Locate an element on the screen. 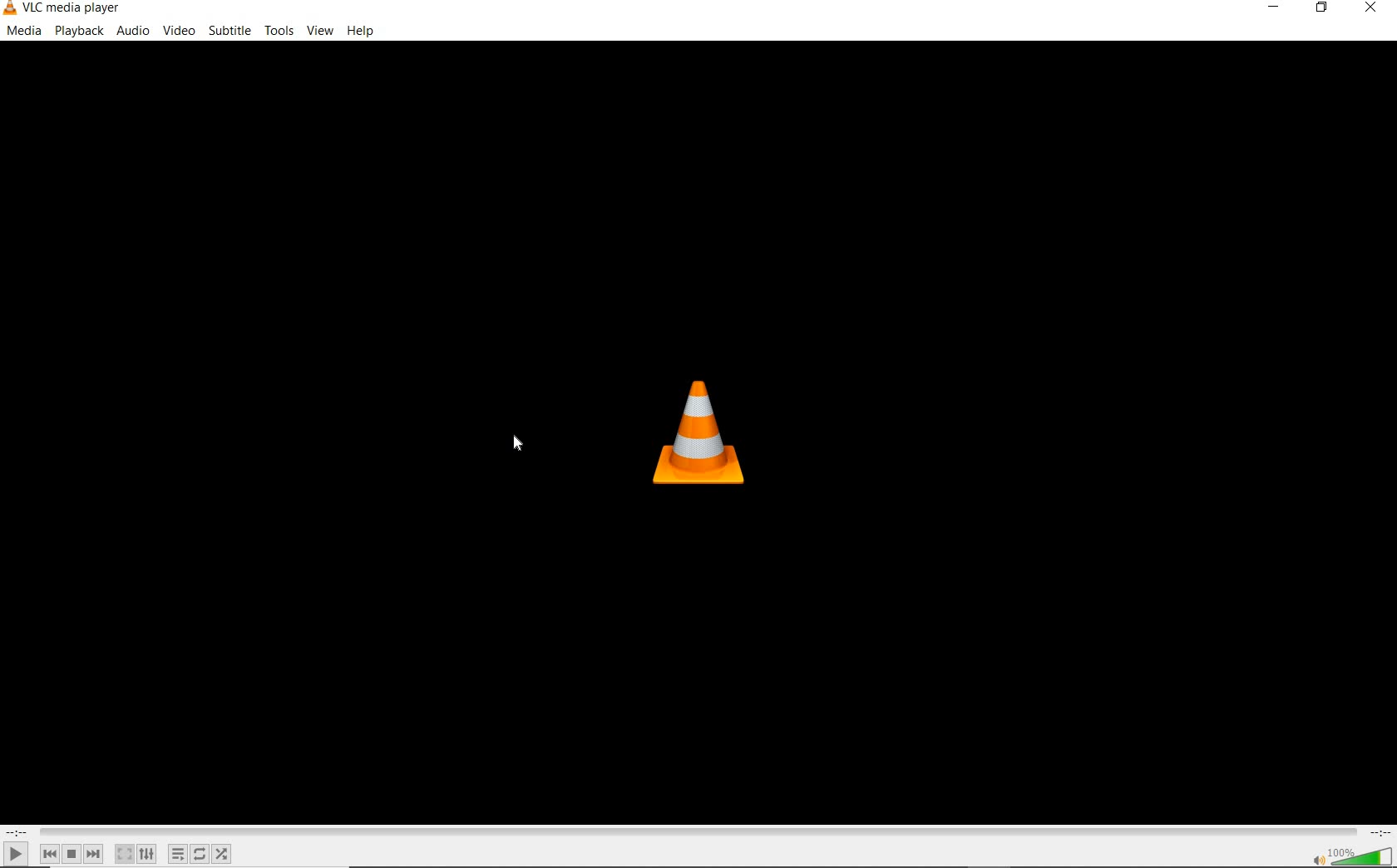 The width and height of the screenshot is (1397, 868). tools is located at coordinates (278, 28).